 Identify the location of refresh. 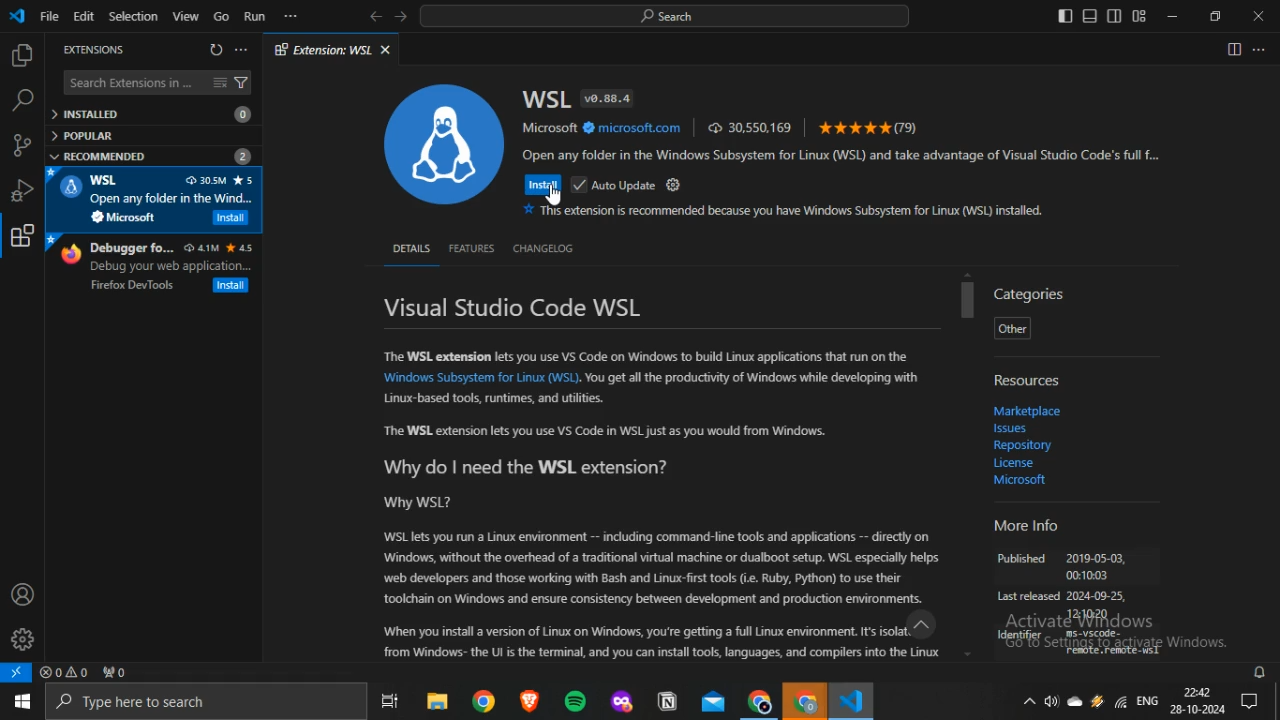
(216, 49).